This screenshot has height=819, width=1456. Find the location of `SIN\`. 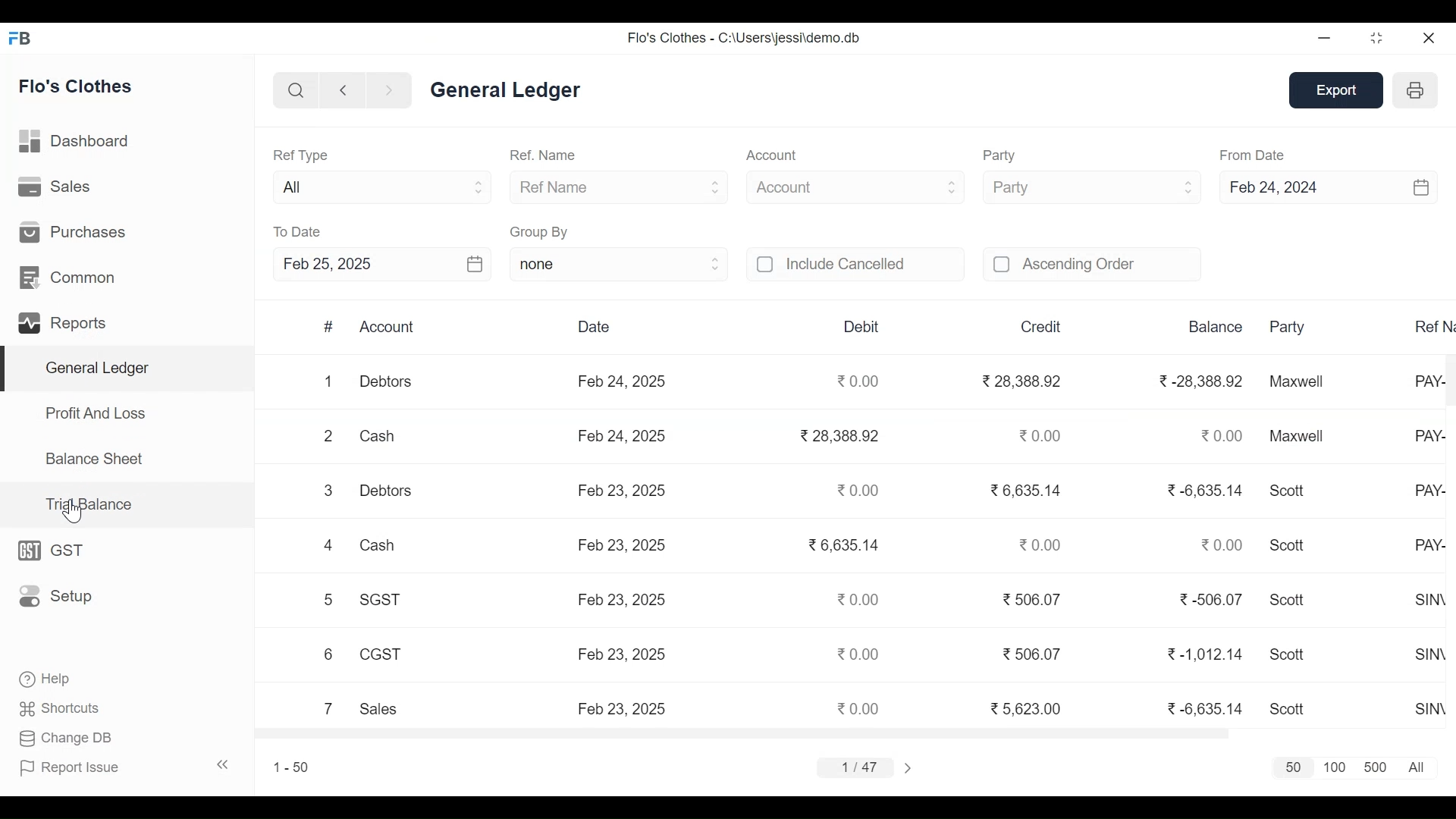

SIN\ is located at coordinates (1431, 710).